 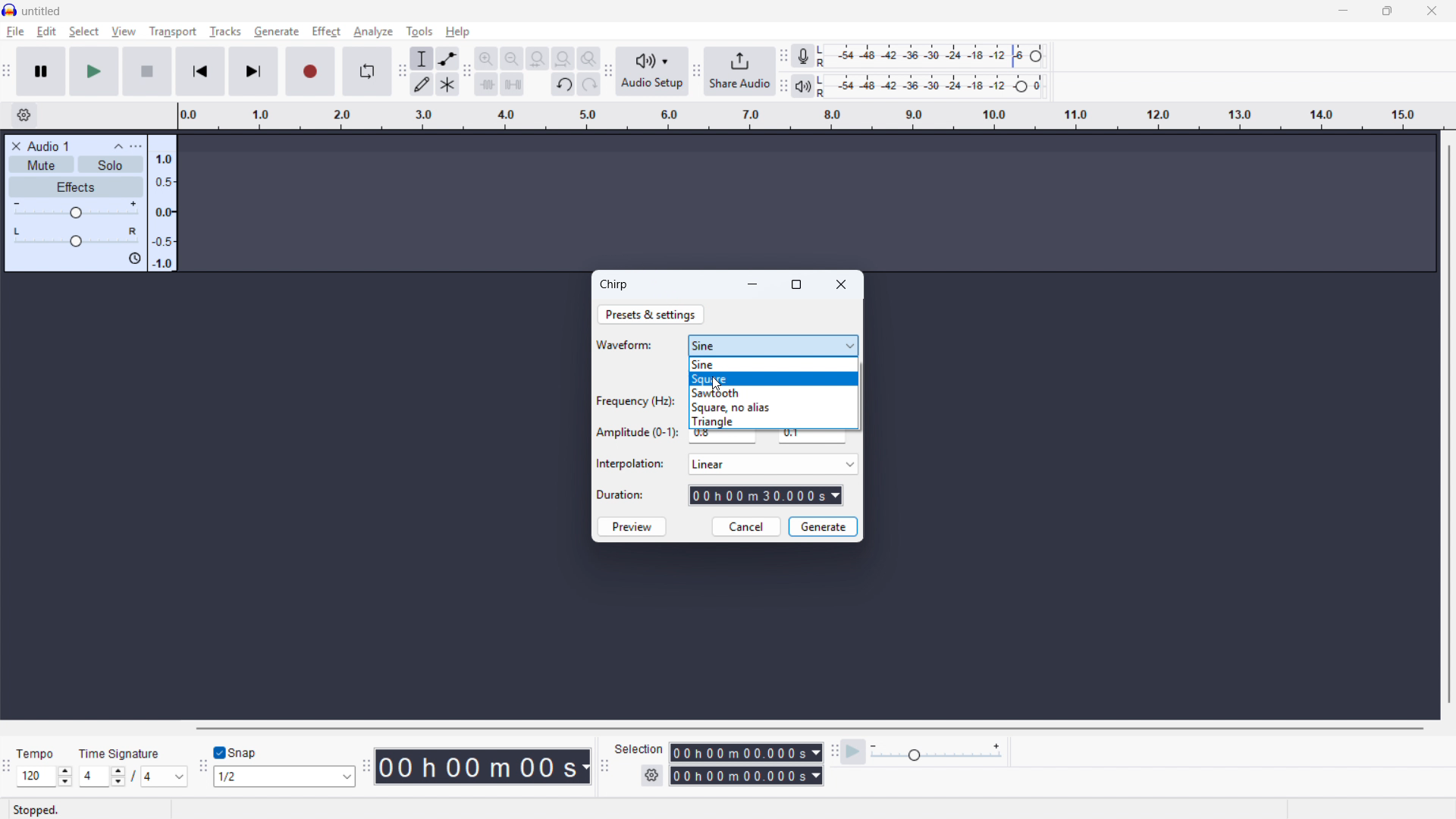 I want to click on  Tools , so click(x=420, y=31).